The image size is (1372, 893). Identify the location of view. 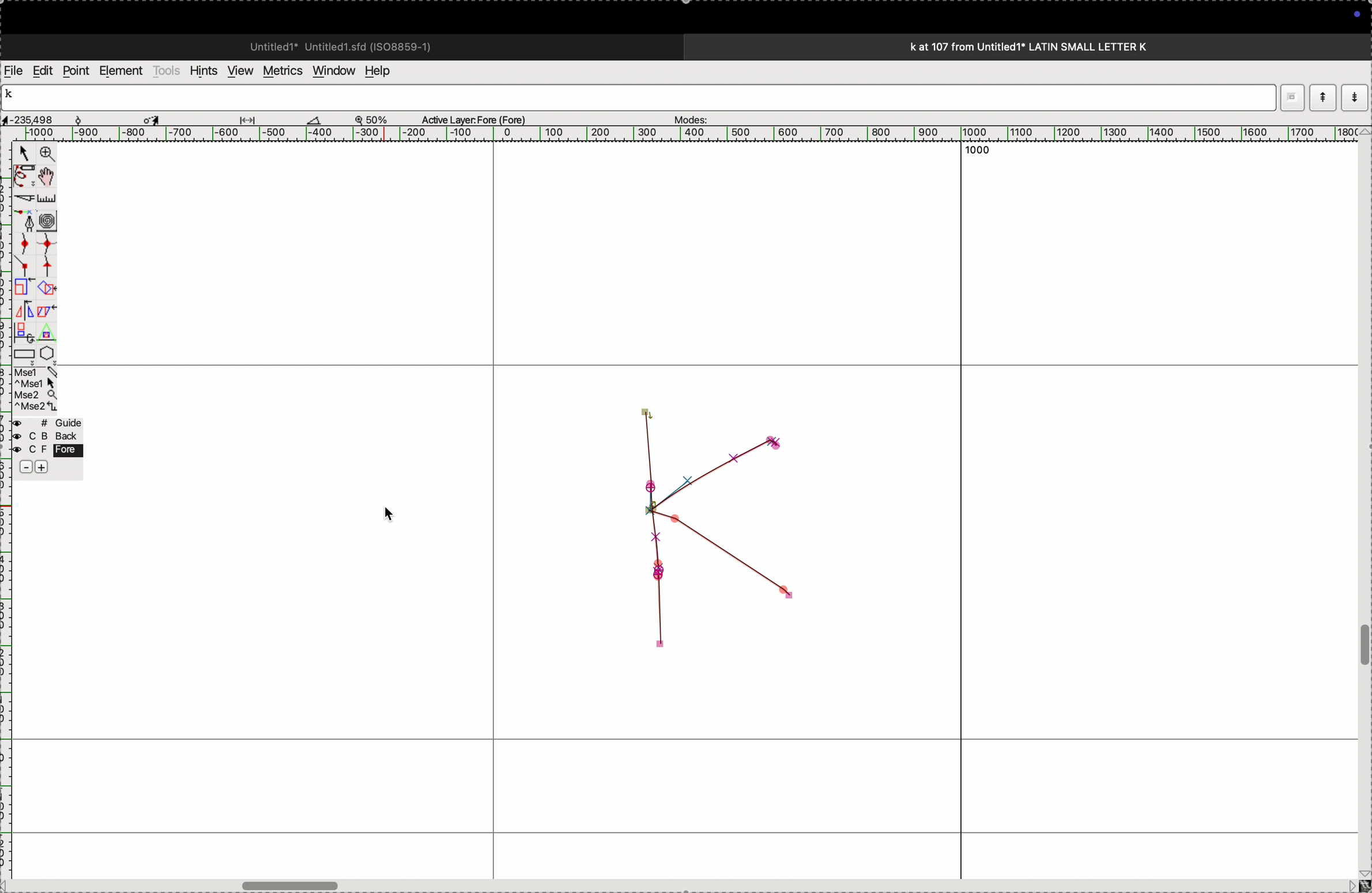
(237, 71).